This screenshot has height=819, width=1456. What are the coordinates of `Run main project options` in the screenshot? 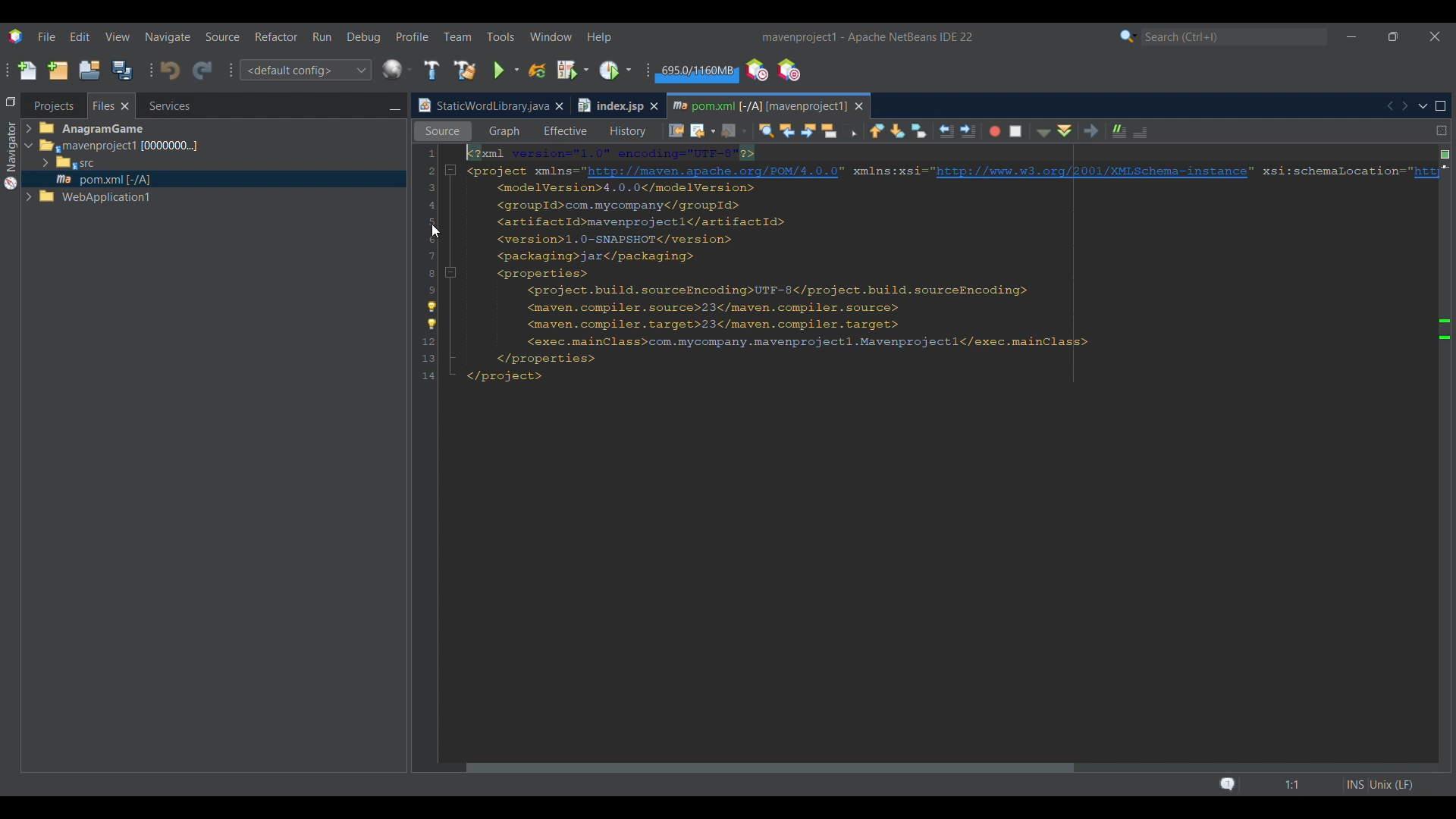 It's located at (507, 71).